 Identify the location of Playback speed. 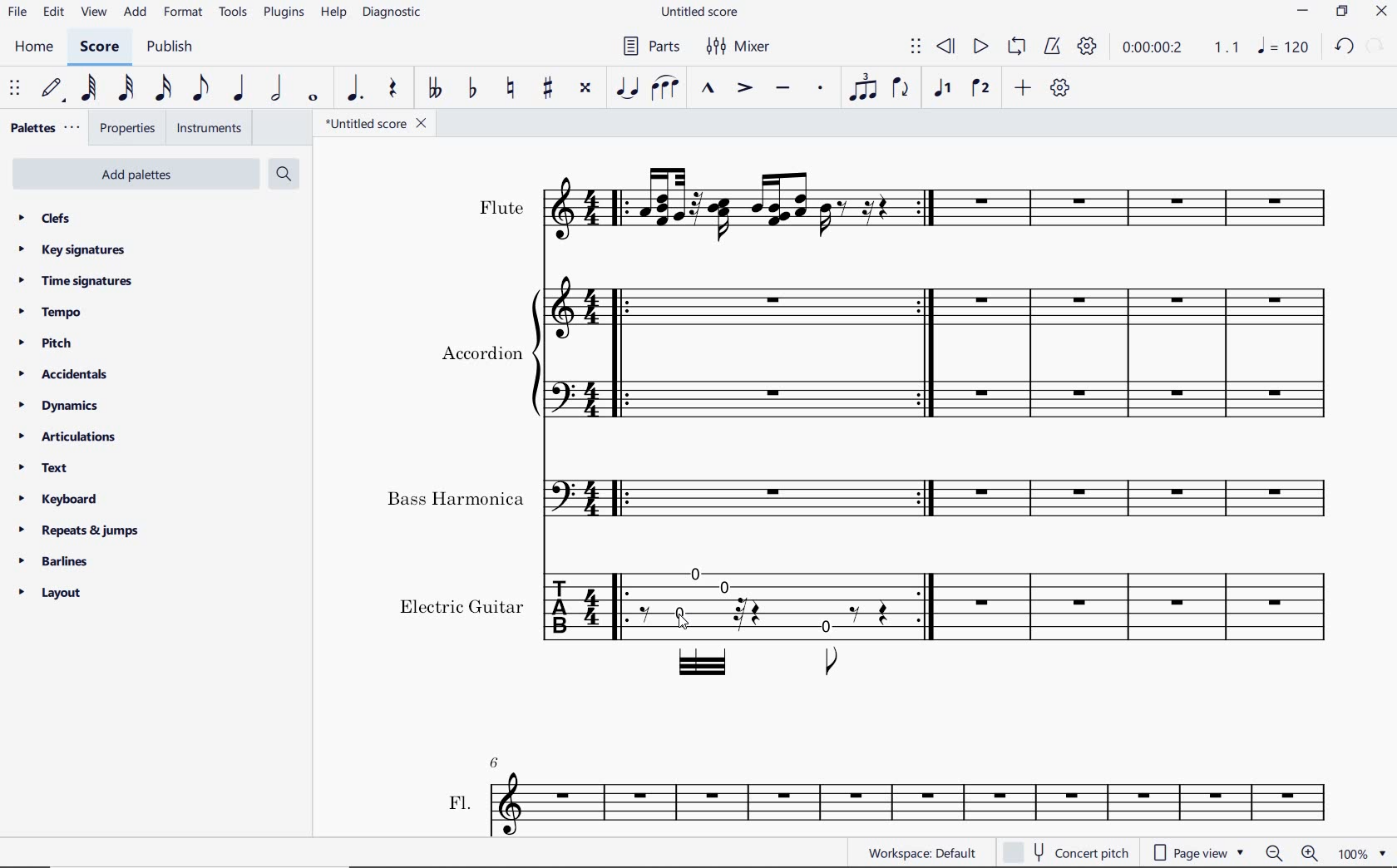
(1228, 49).